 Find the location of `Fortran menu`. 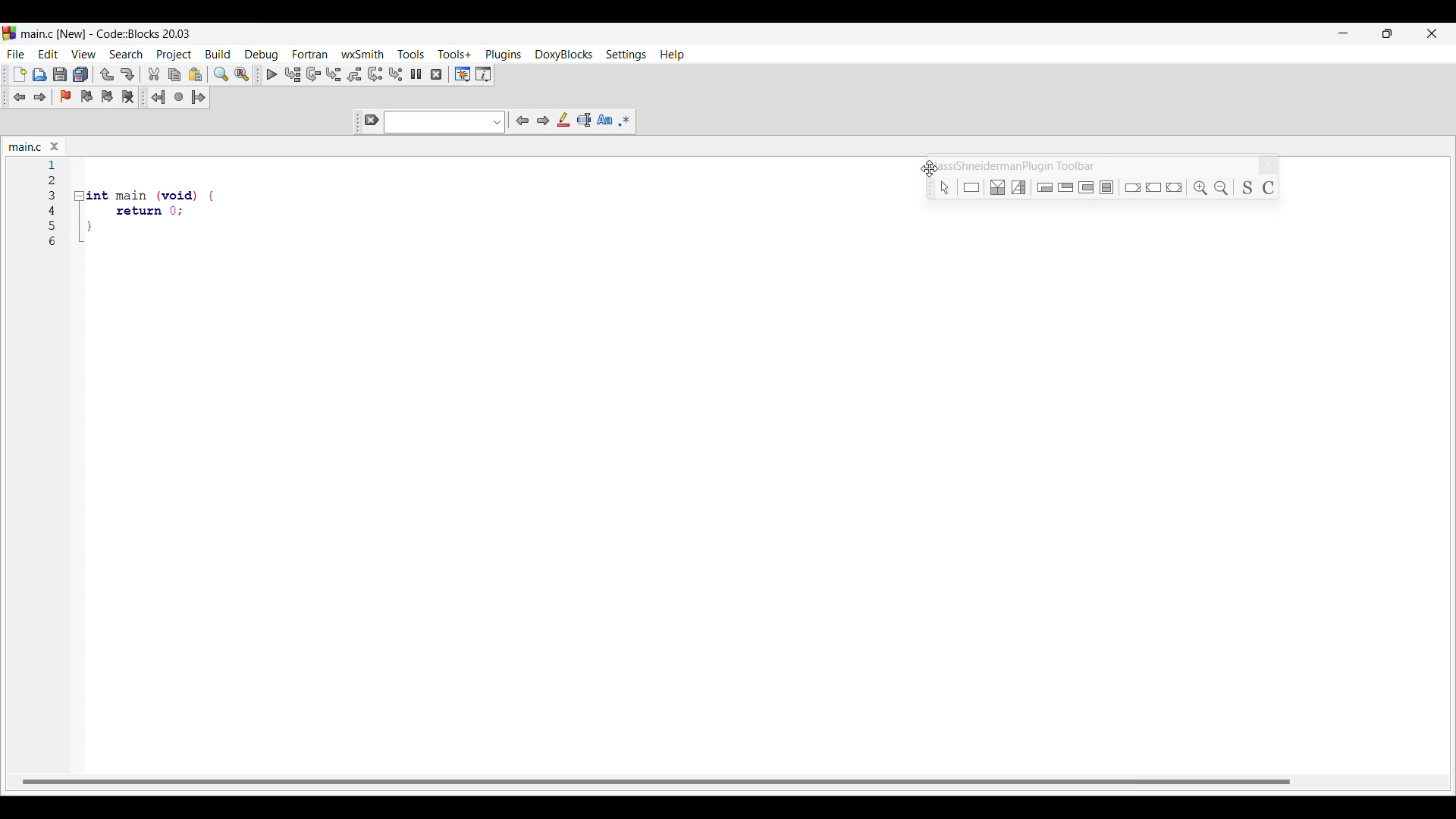

Fortran menu is located at coordinates (309, 54).